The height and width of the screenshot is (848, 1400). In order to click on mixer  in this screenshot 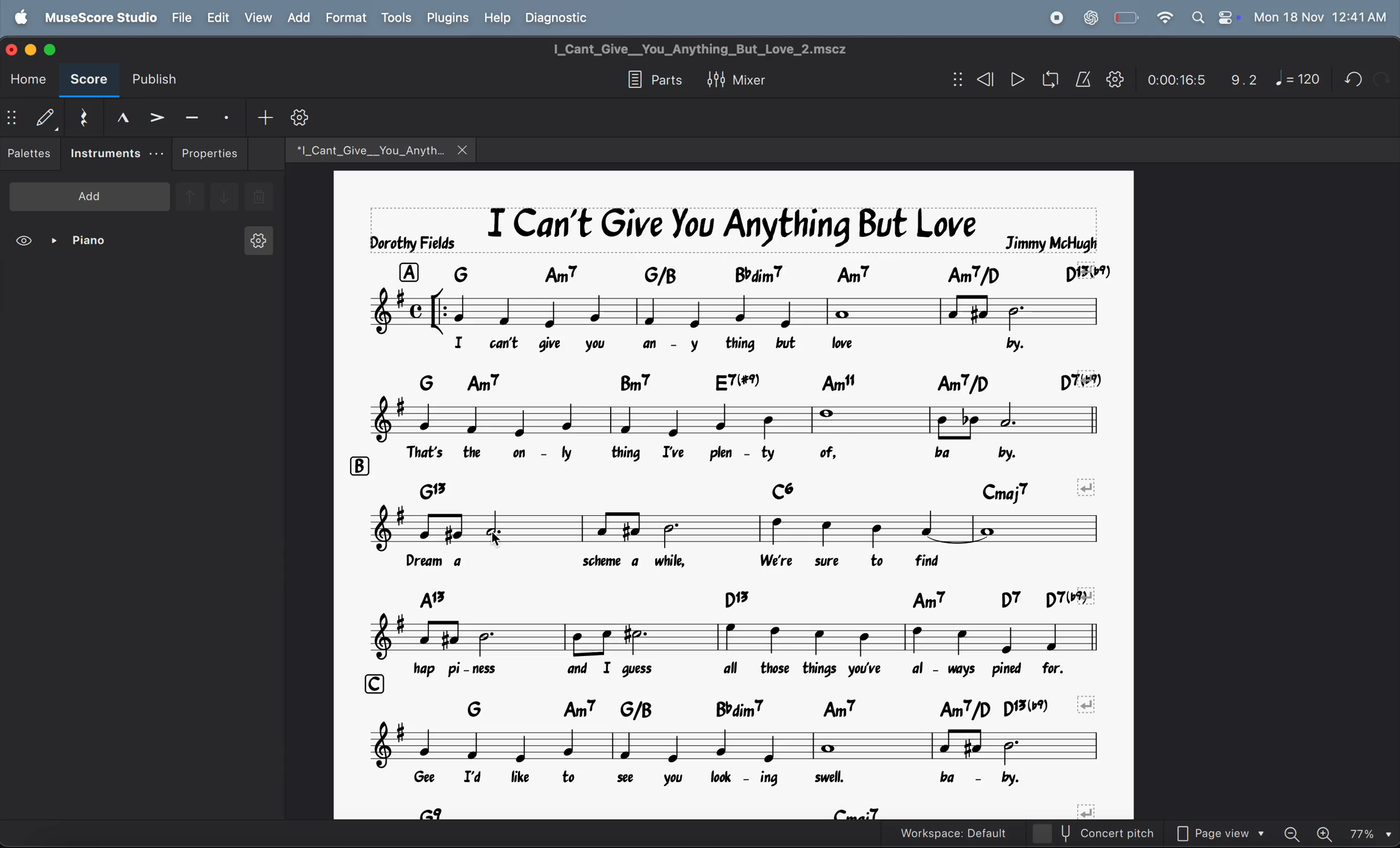, I will do `click(734, 79)`.